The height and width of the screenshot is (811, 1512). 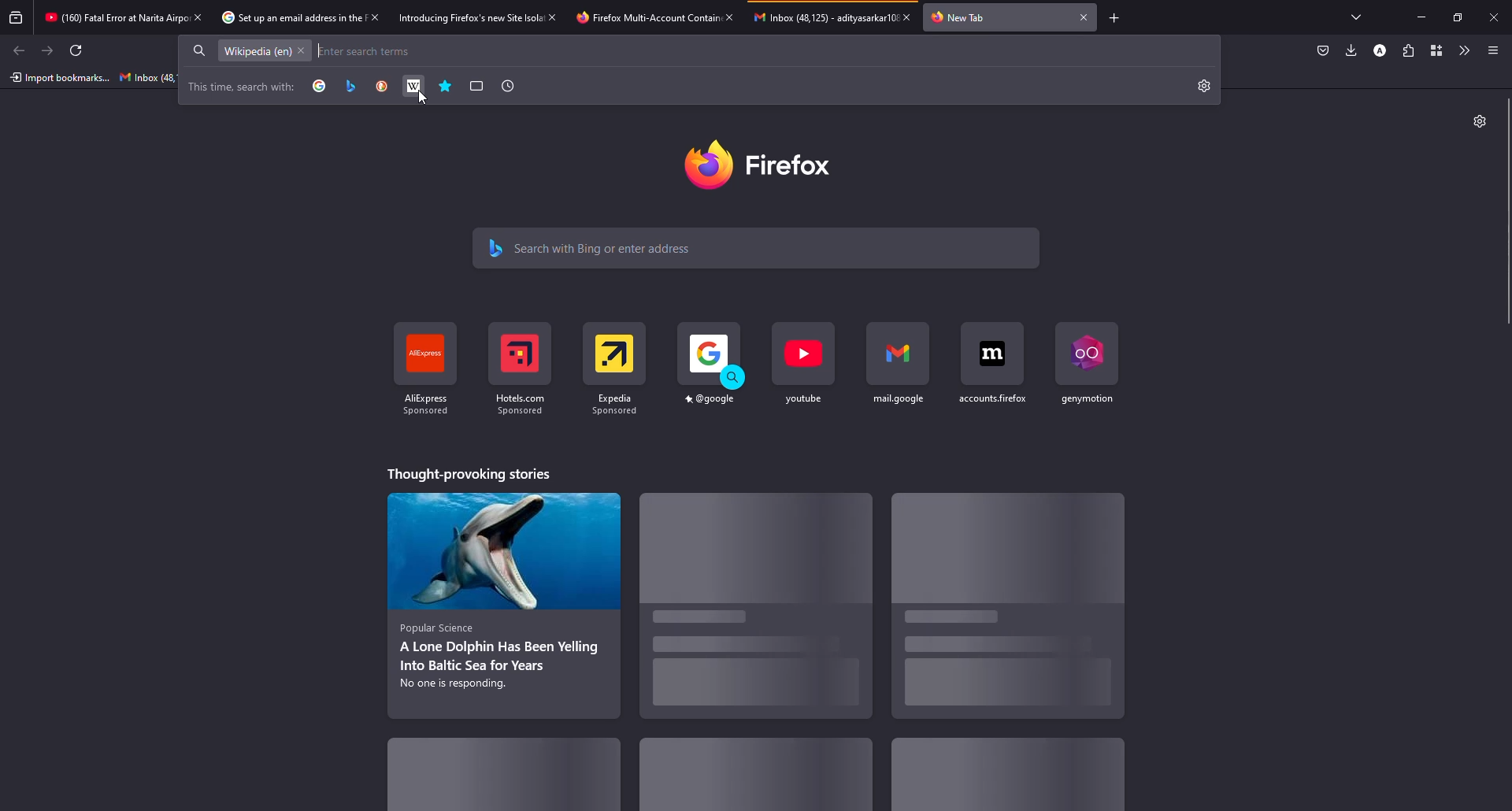 I want to click on shortcut, so click(x=805, y=373).